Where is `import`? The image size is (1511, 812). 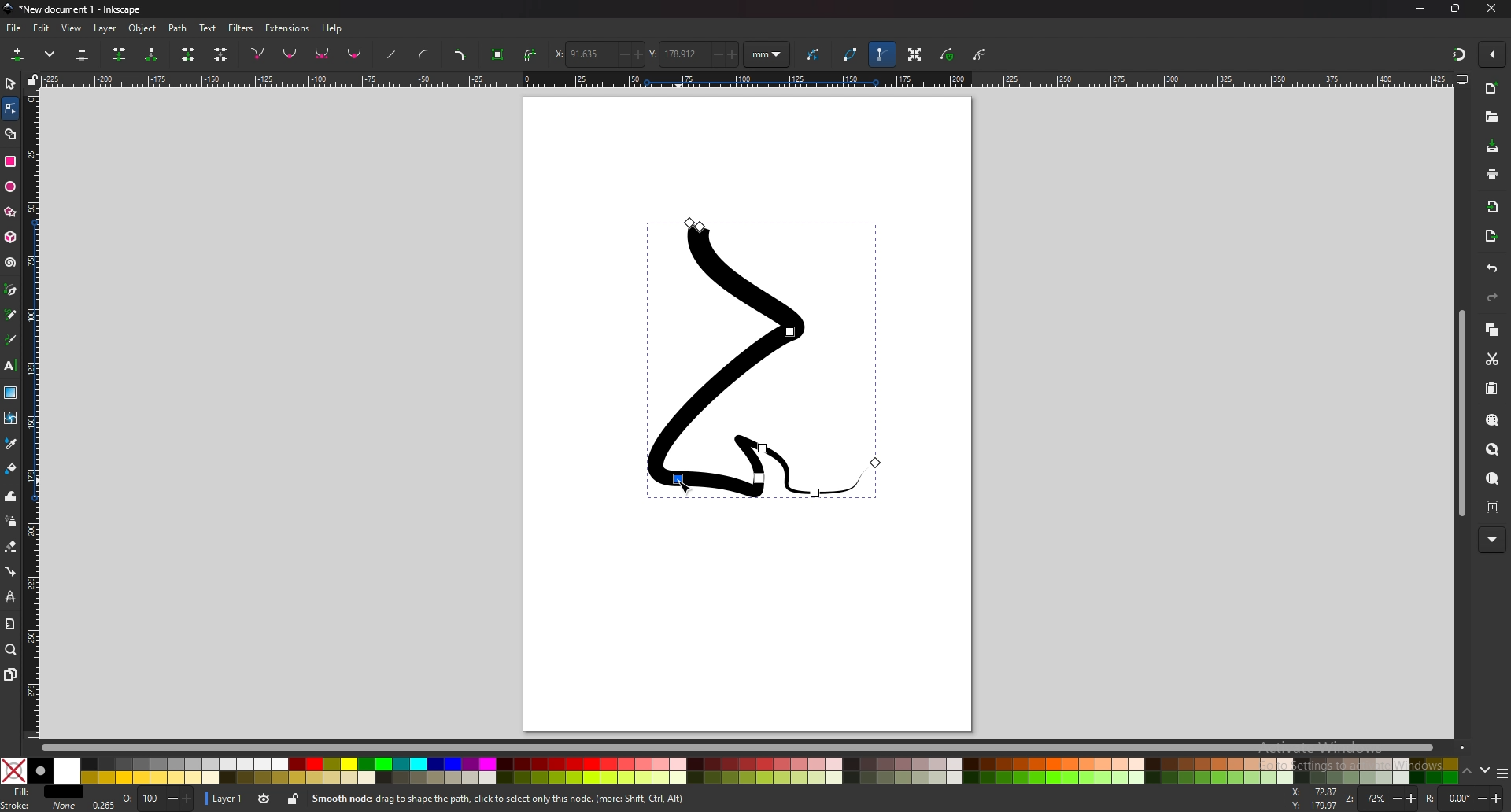
import is located at coordinates (1493, 206).